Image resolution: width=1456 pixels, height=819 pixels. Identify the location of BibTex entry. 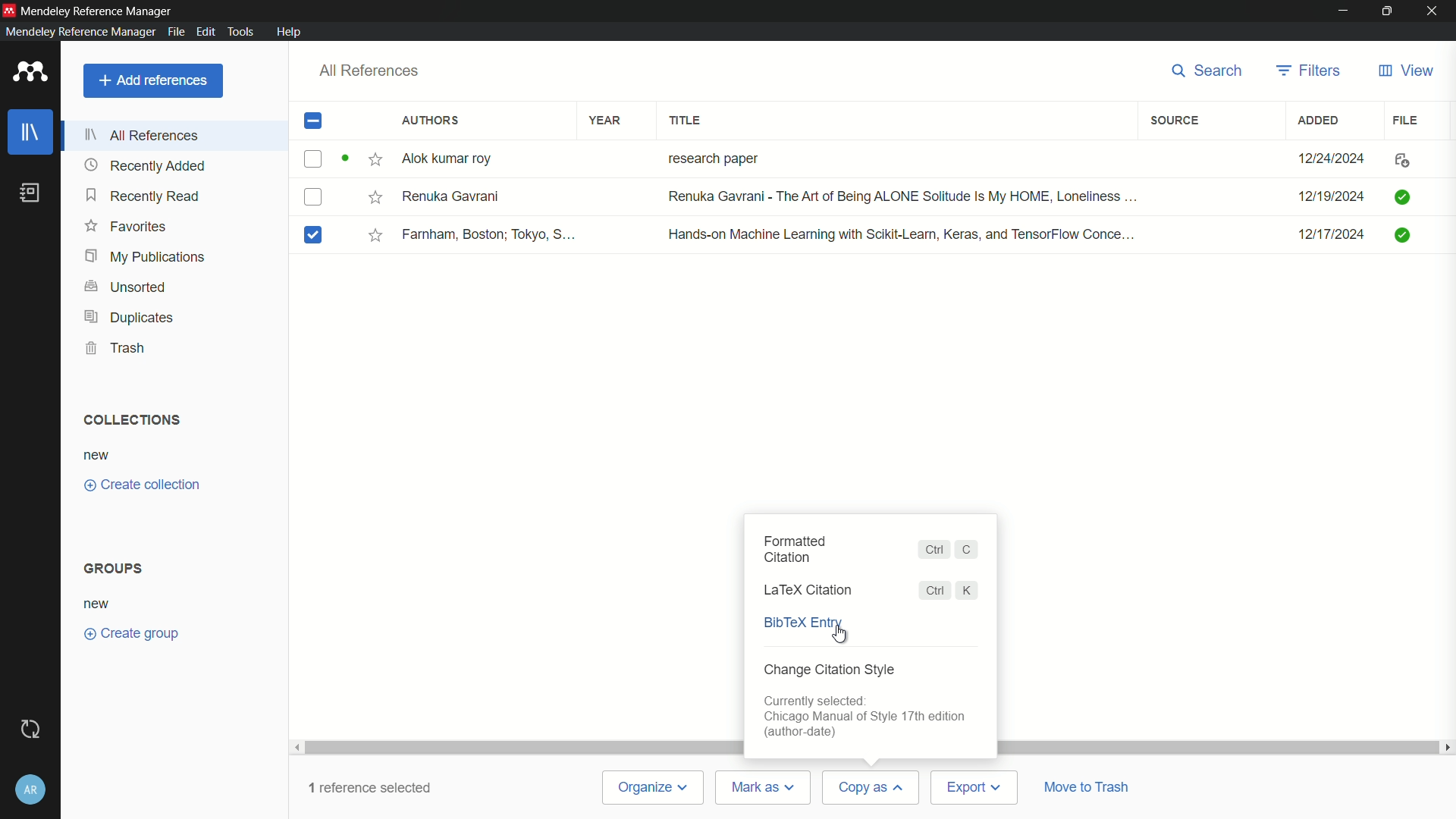
(802, 624).